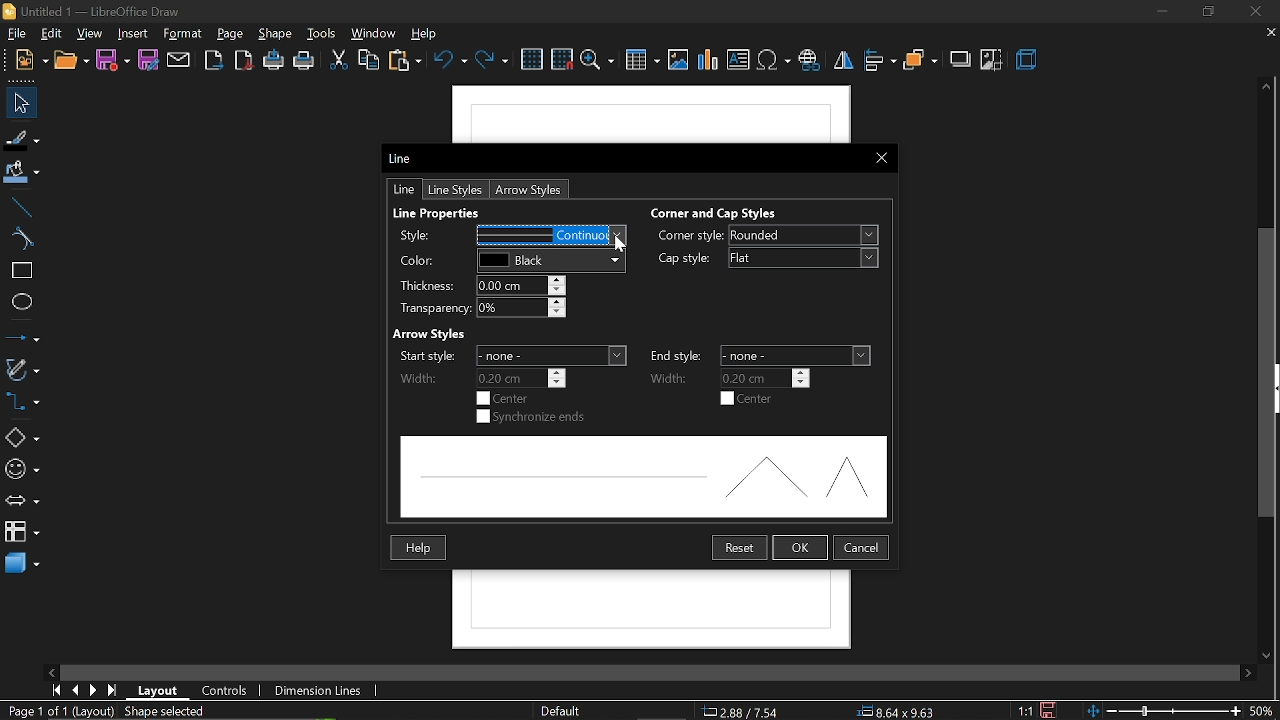  I want to click on cursor, so click(622, 242).